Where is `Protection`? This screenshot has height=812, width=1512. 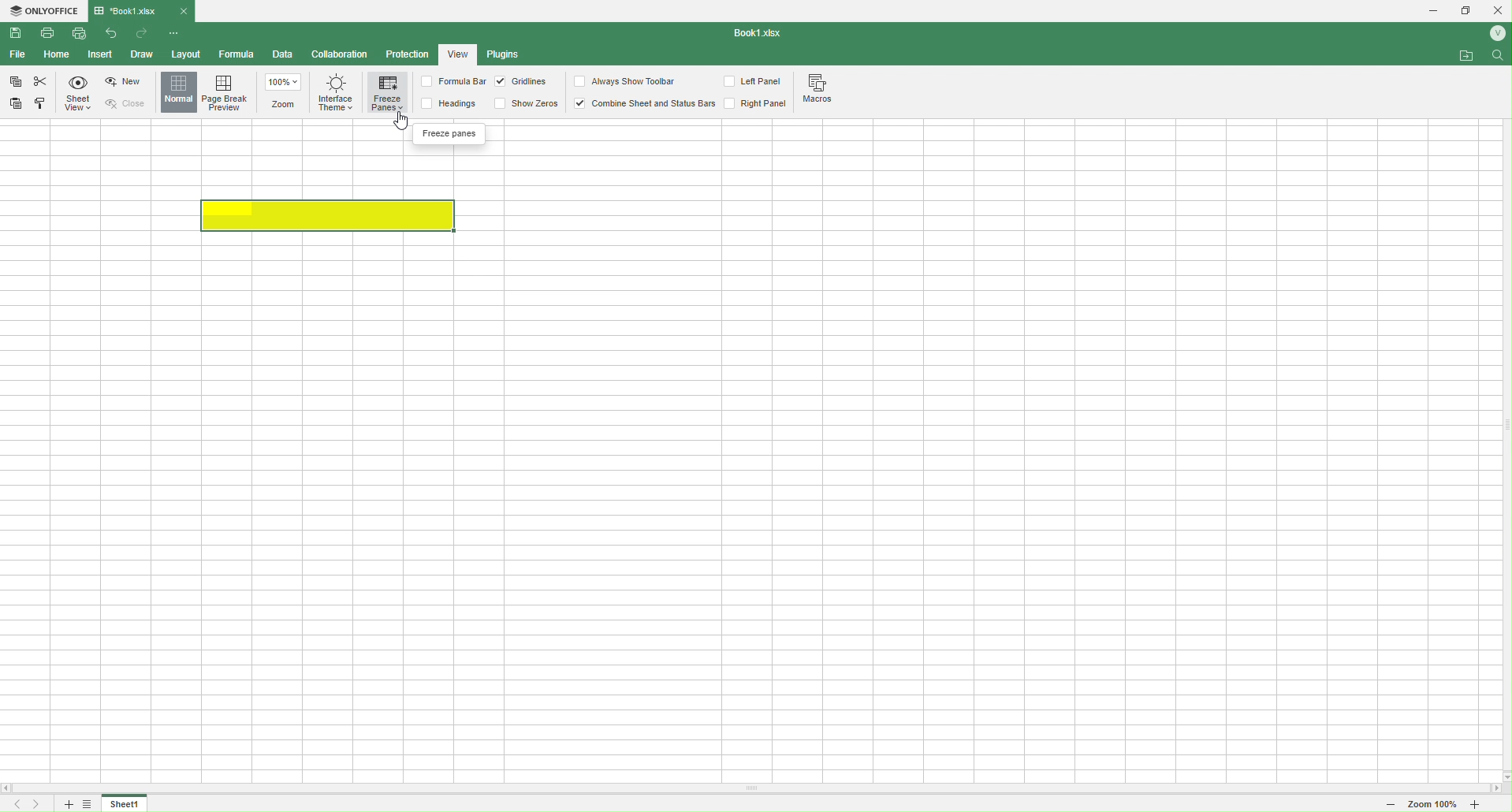
Protection is located at coordinates (407, 56).